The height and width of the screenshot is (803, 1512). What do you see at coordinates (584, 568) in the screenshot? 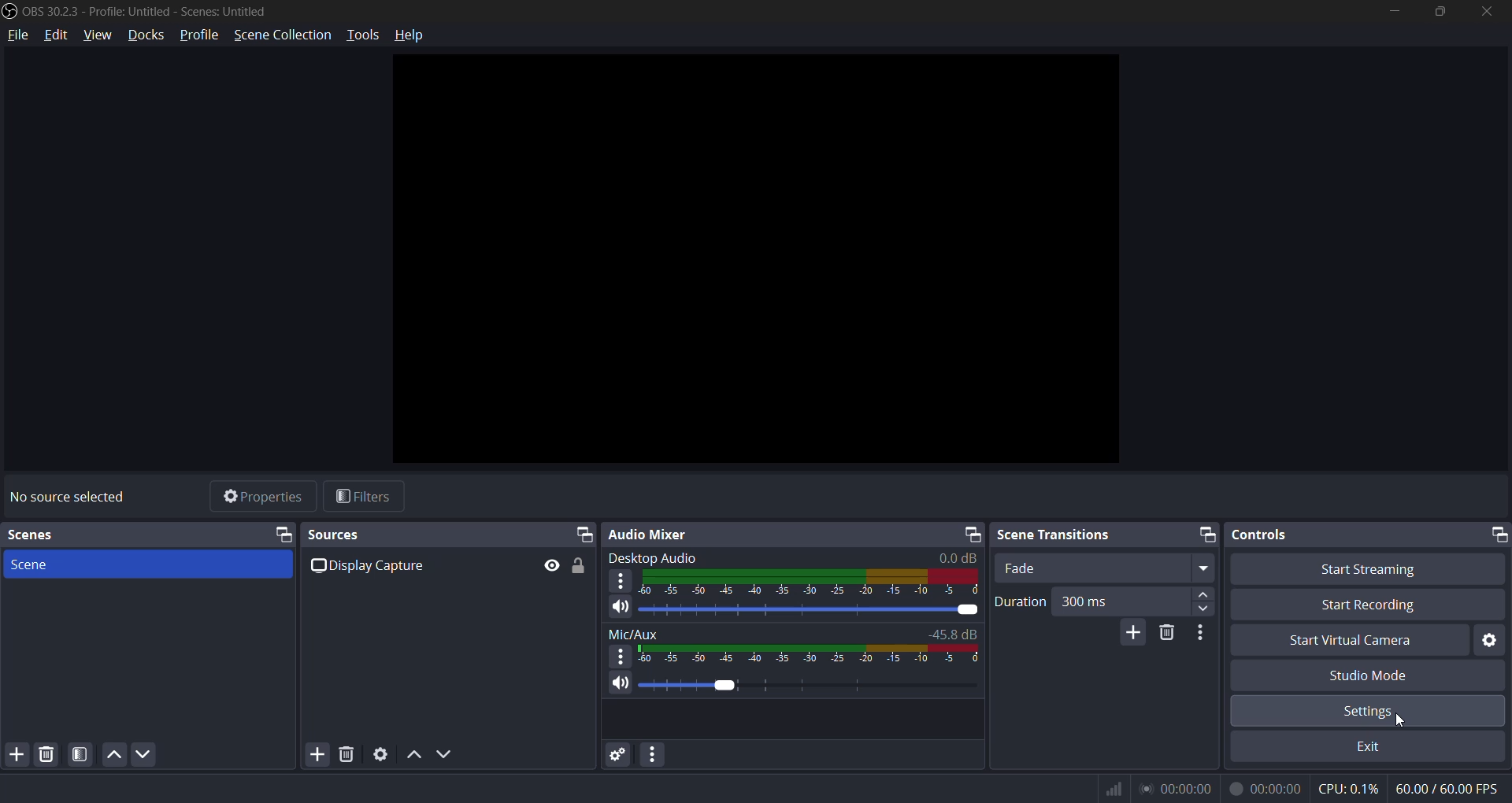
I see `lock` at bounding box center [584, 568].